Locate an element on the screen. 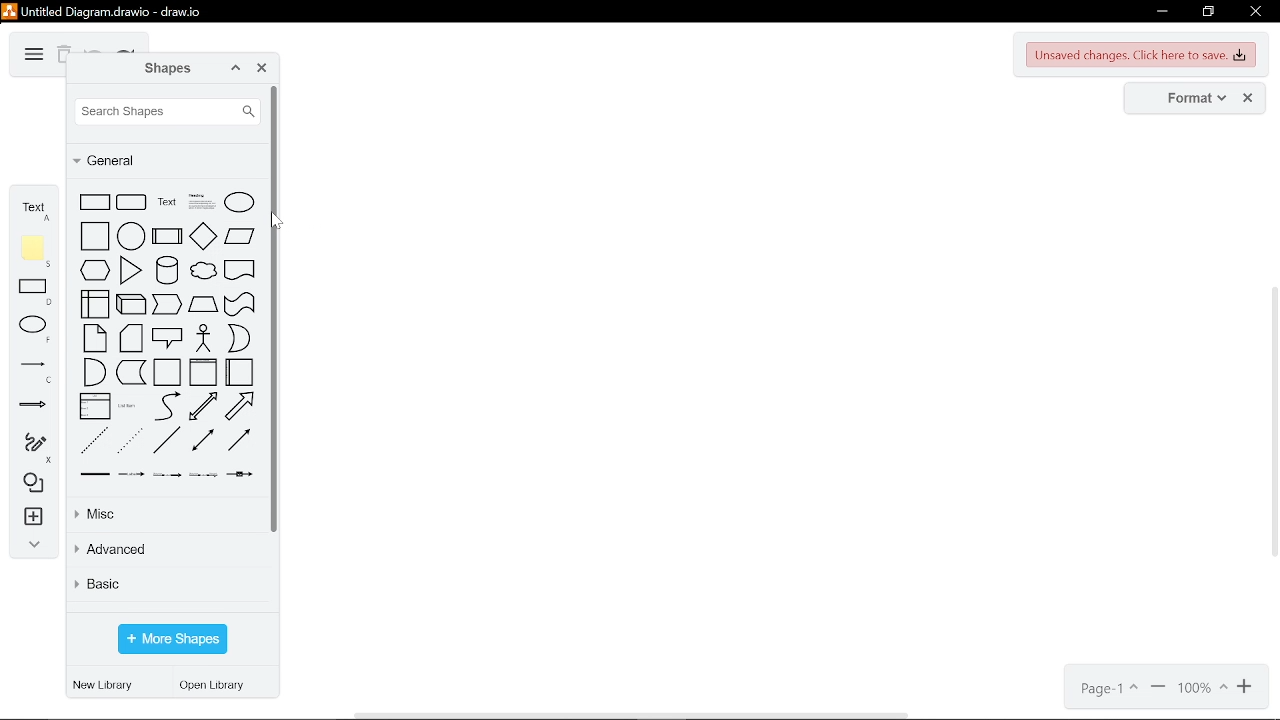 Image resolution: width=1280 pixels, height=720 pixels. document is located at coordinates (240, 269).